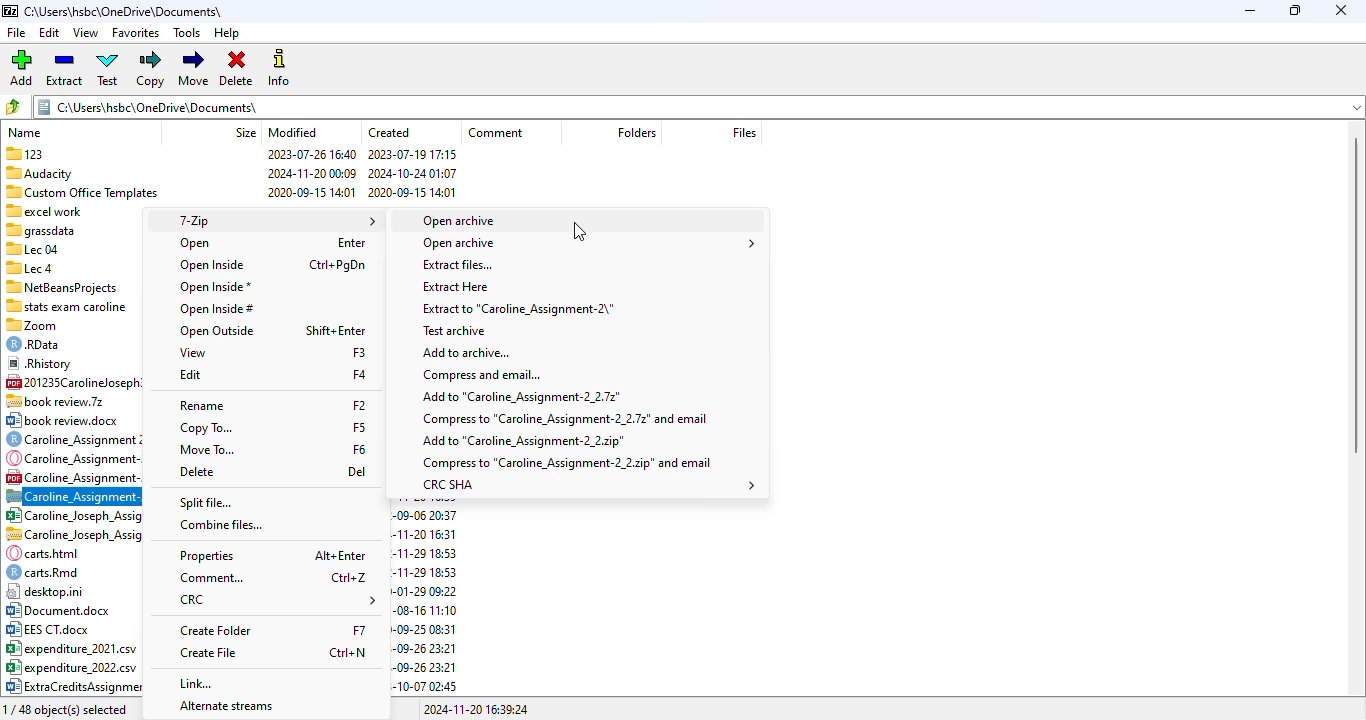  I want to click on view, so click(86, 33).